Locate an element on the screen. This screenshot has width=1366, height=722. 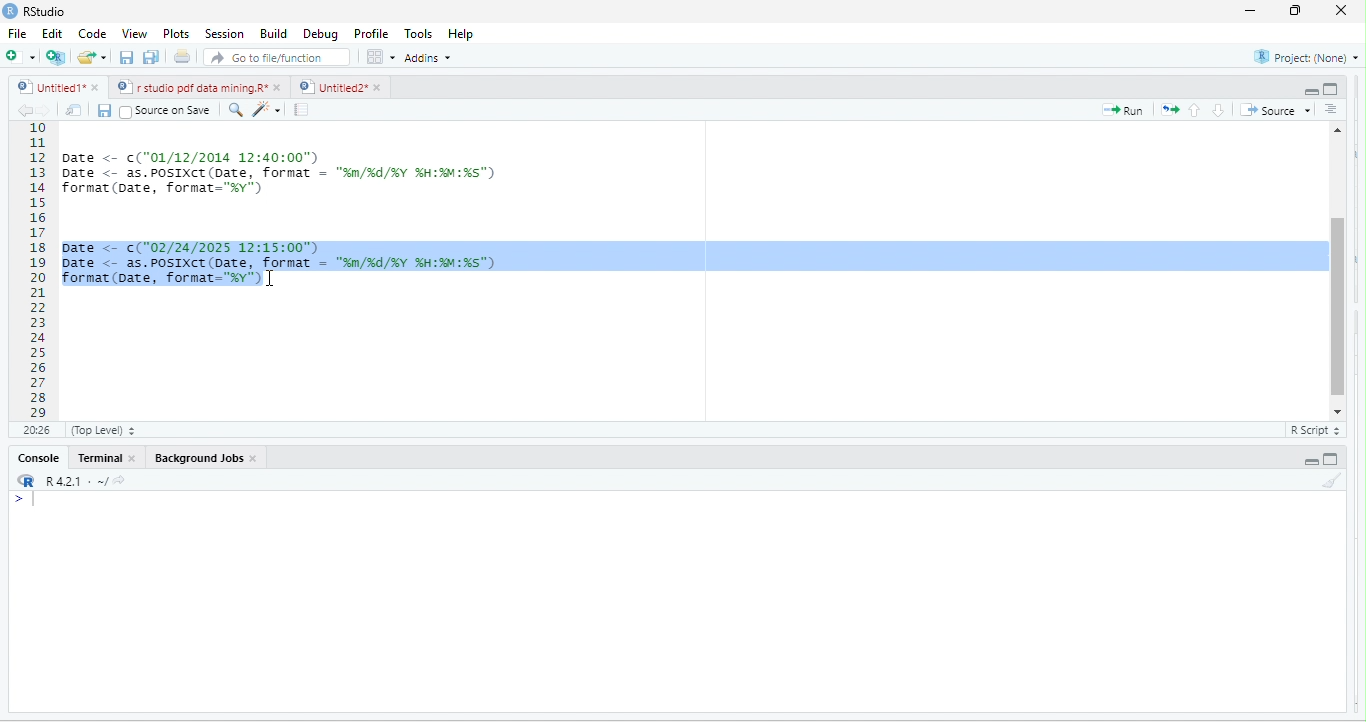
 Untitled2 is located at coordinates (332, 87).